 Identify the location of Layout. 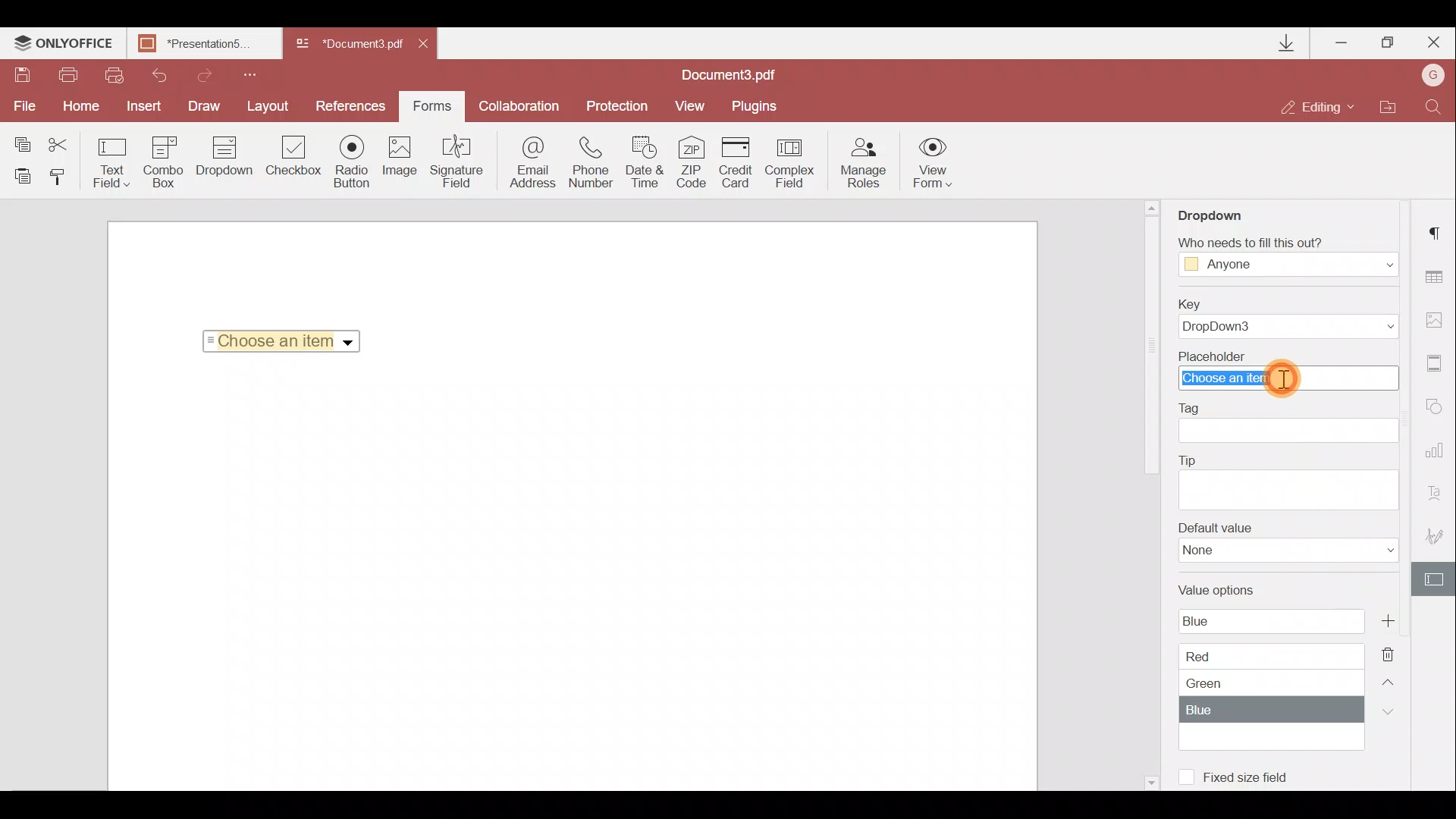
(272, 106).